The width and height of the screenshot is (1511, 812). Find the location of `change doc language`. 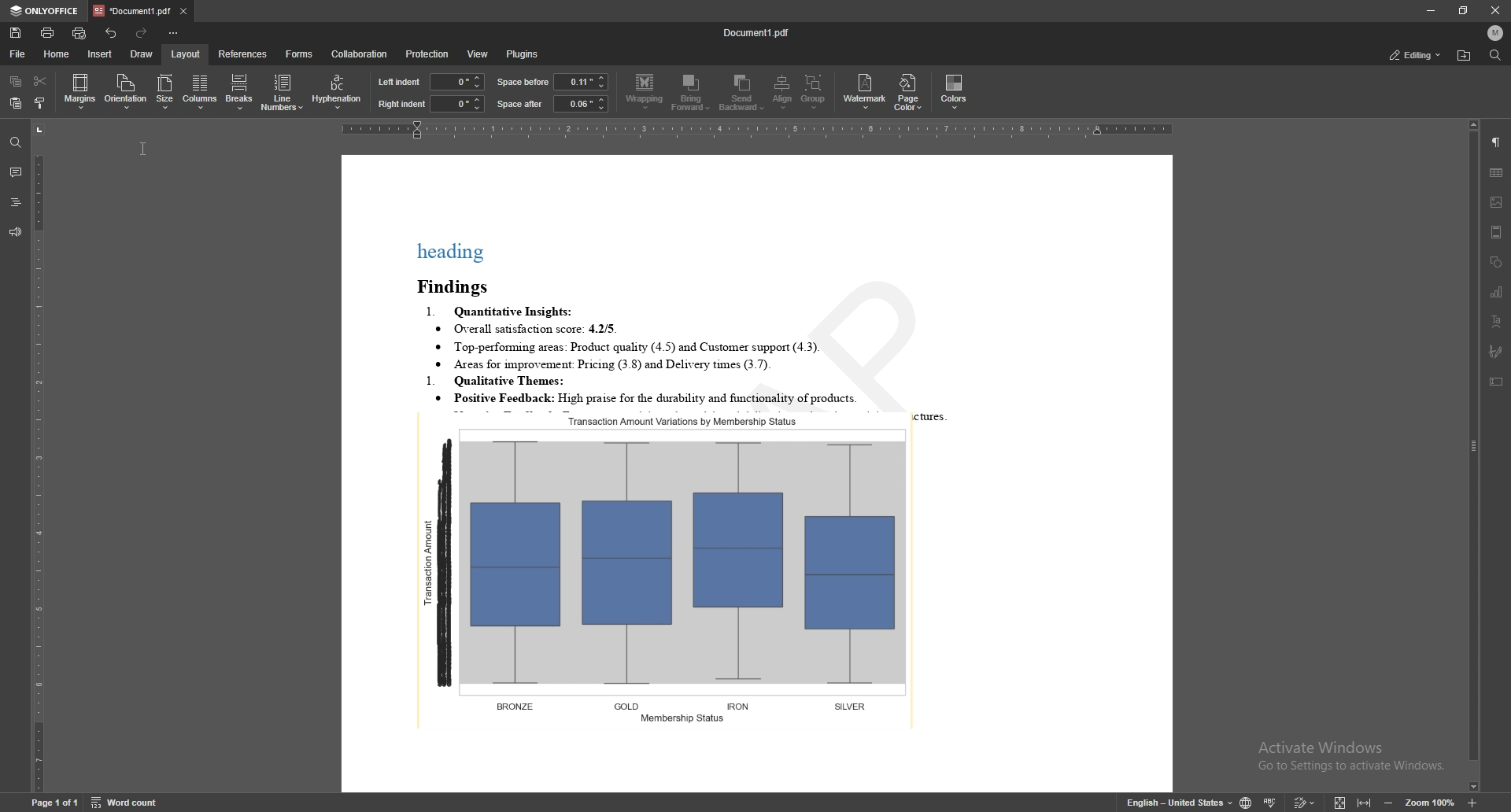

change doc language is located at coordinates (1247, 801).